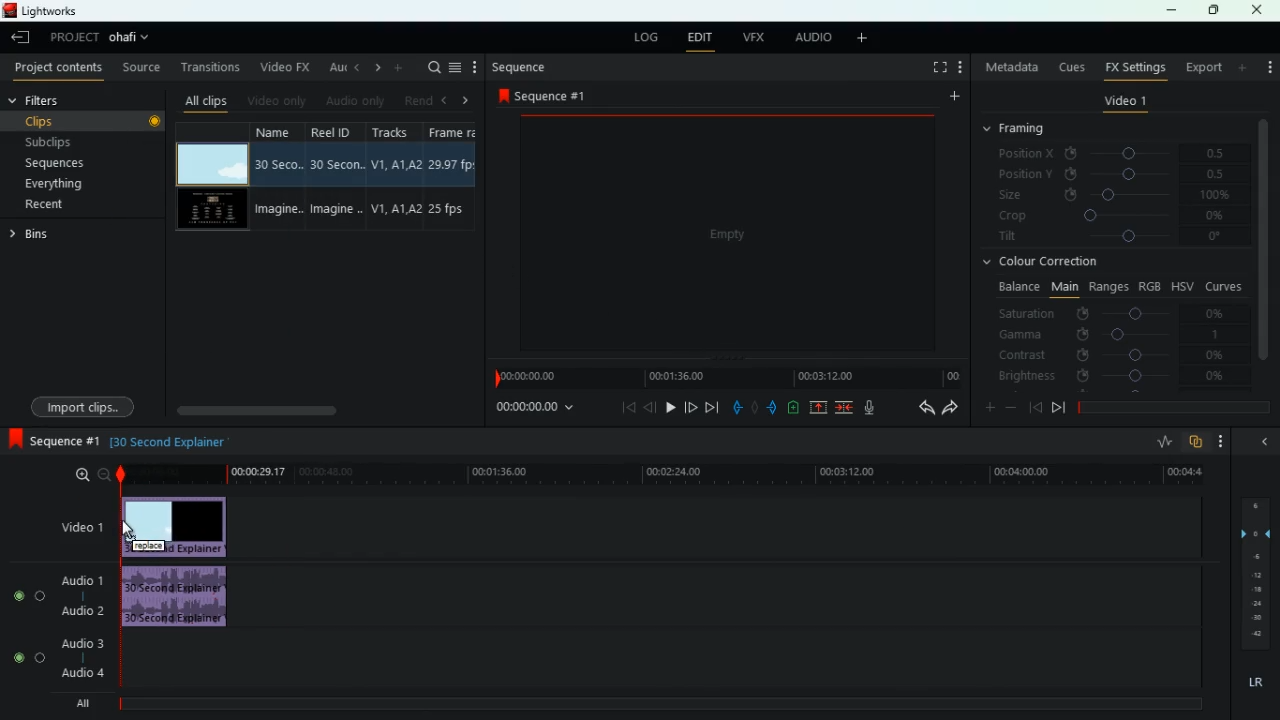  Describe the element at coordinates (66, 204) in the screenshot. I see `recent` at that location.